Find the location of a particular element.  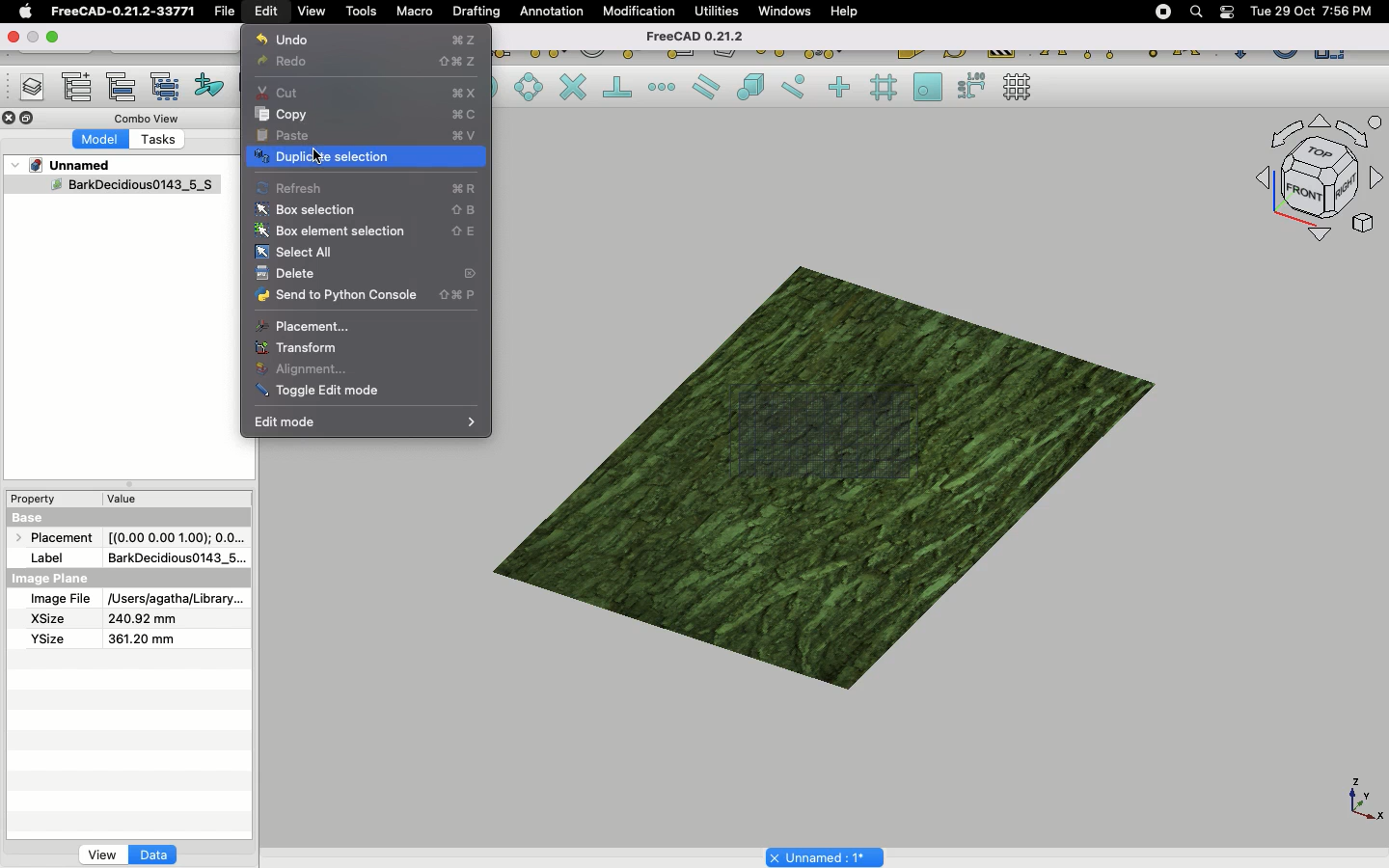

XSize is located at coordinates (48, 619).